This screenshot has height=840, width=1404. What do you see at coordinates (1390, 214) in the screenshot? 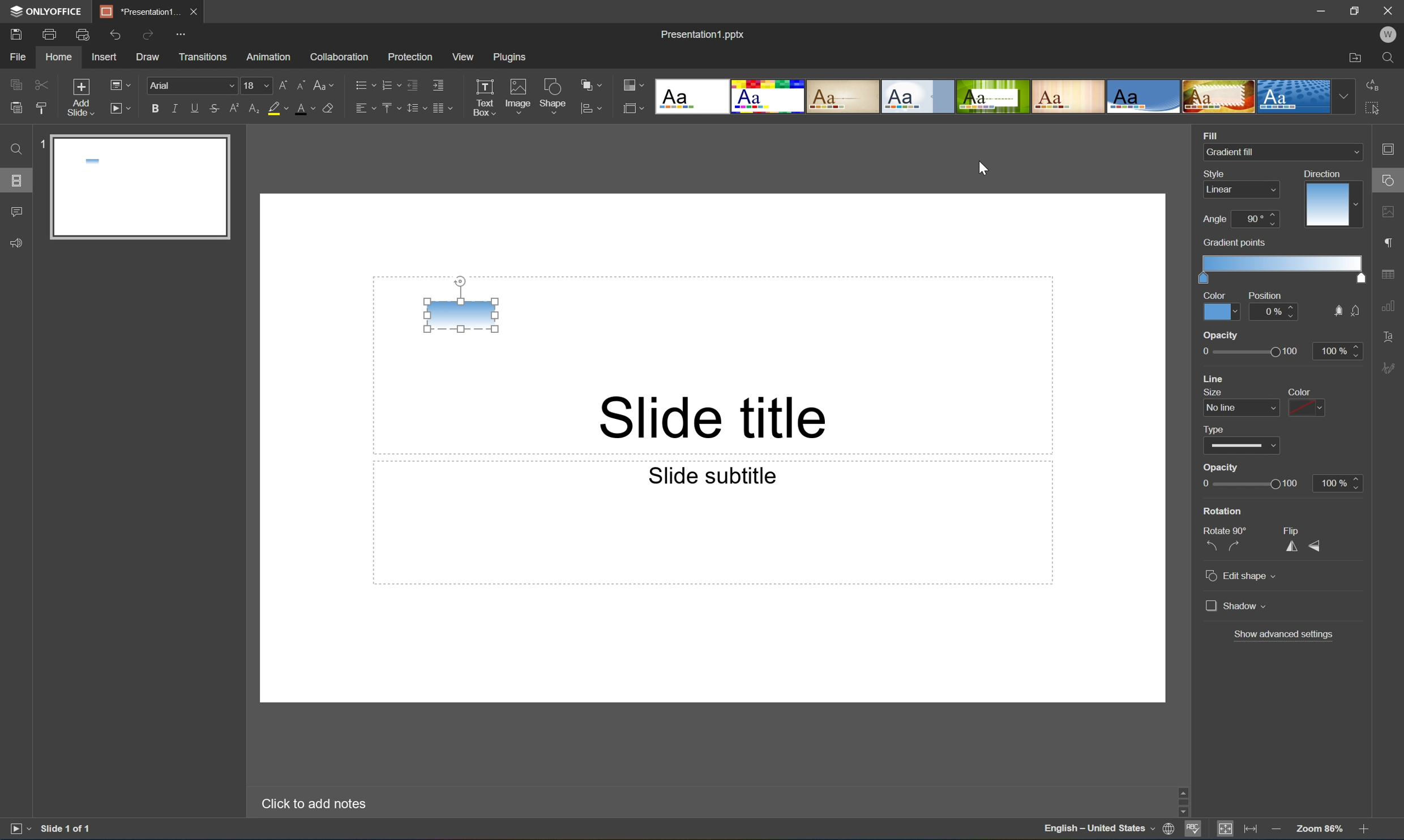
I see `image settings` at bounding box center [1390, 214].